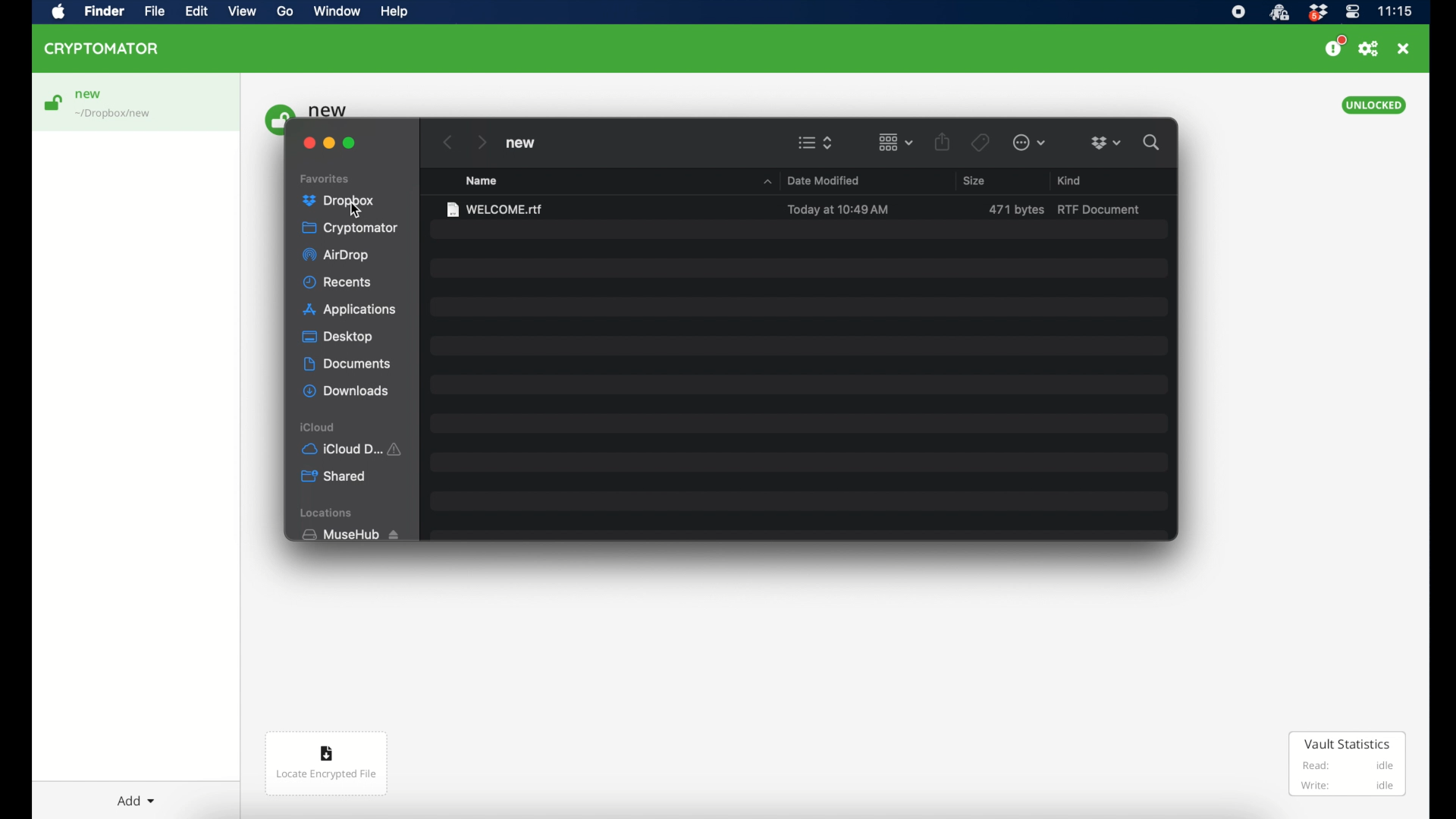  What do you see at coordinates (1152, 143) in the screenshot?
I see `search` at bounding box center [1152, 143].